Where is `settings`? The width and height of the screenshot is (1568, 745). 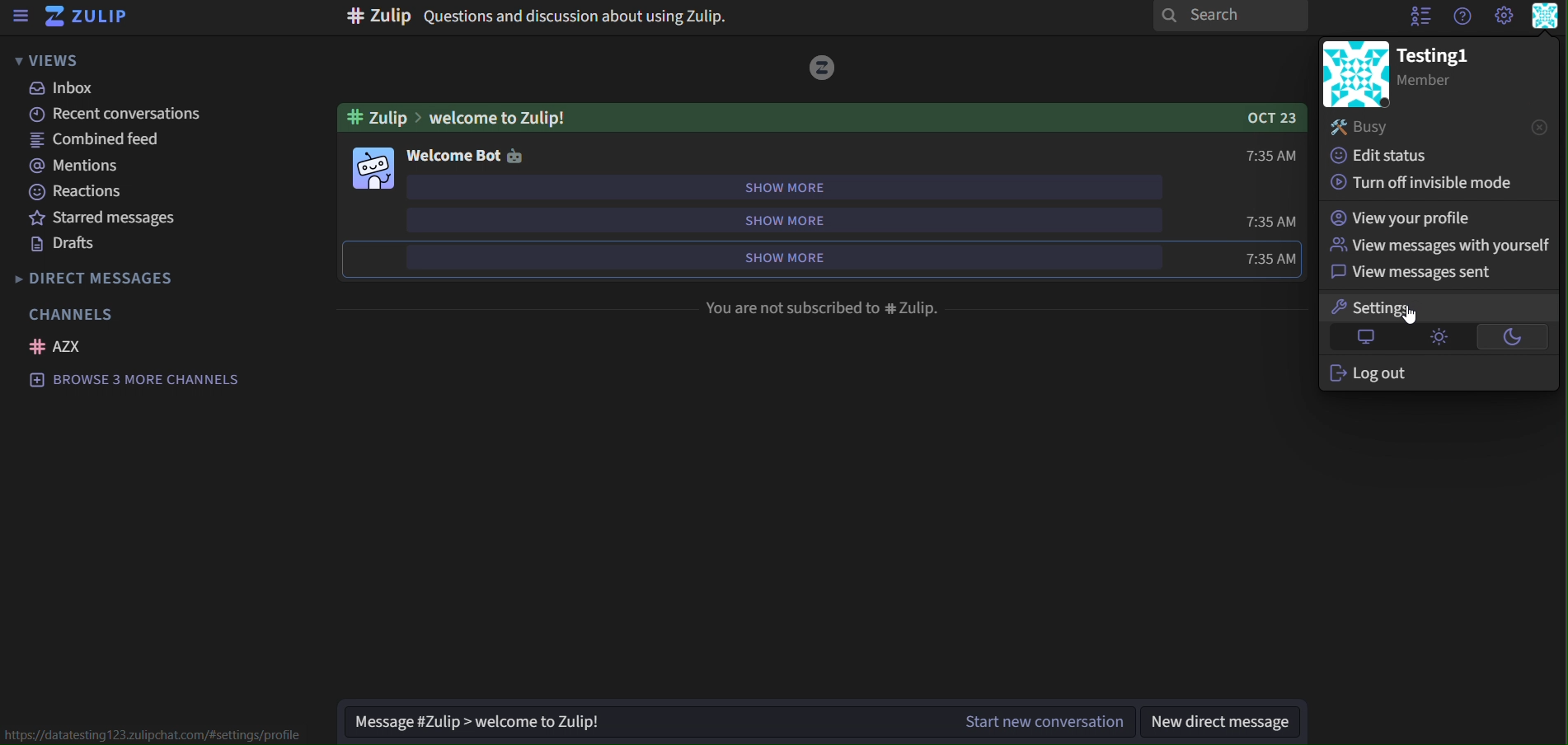 settings is located at coordinates (1411, 310).